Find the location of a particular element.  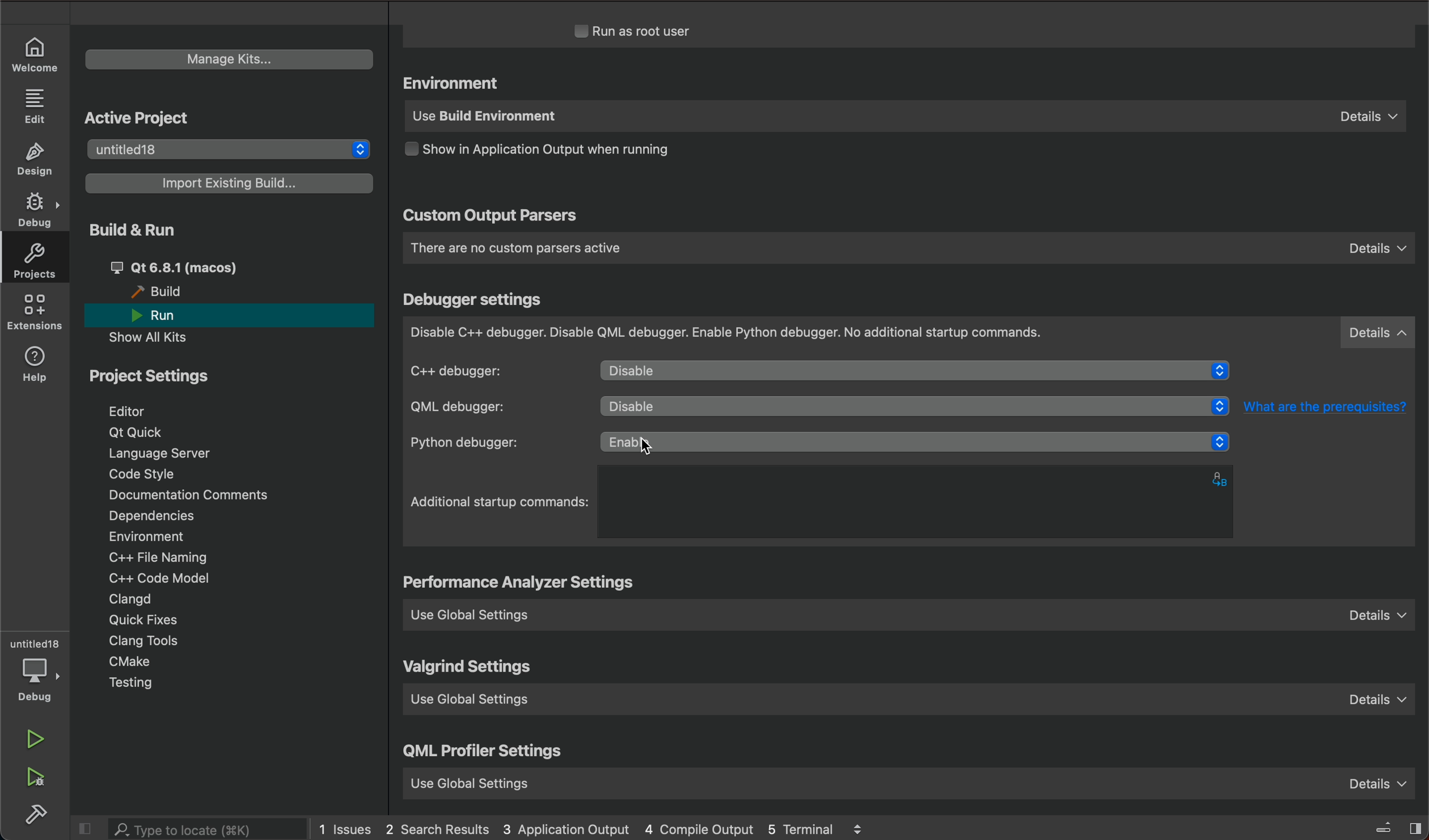

quick  is located at coordinates (147, 621).